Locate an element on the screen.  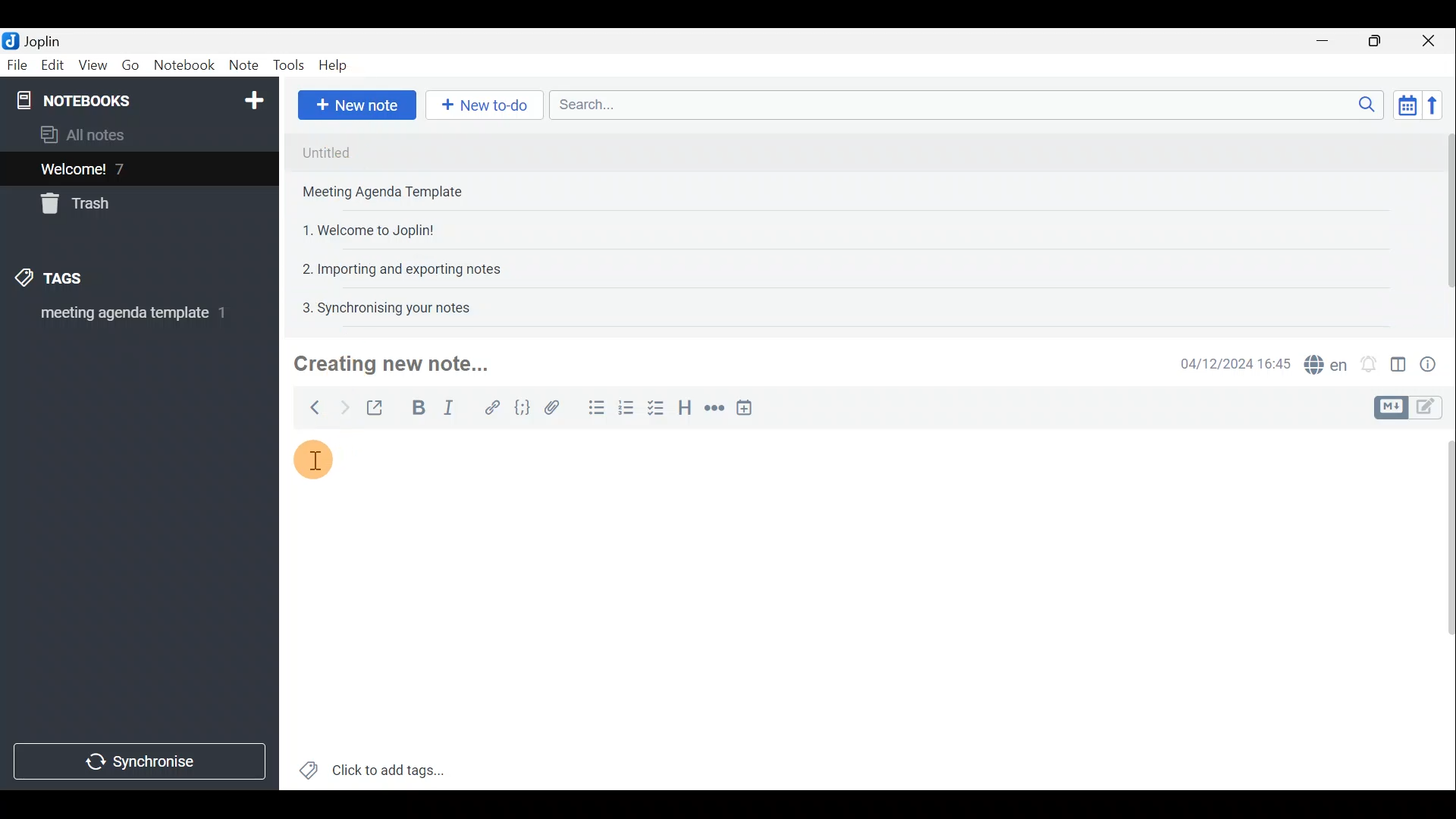
Click to add tags is located at coordinates (372, 766).